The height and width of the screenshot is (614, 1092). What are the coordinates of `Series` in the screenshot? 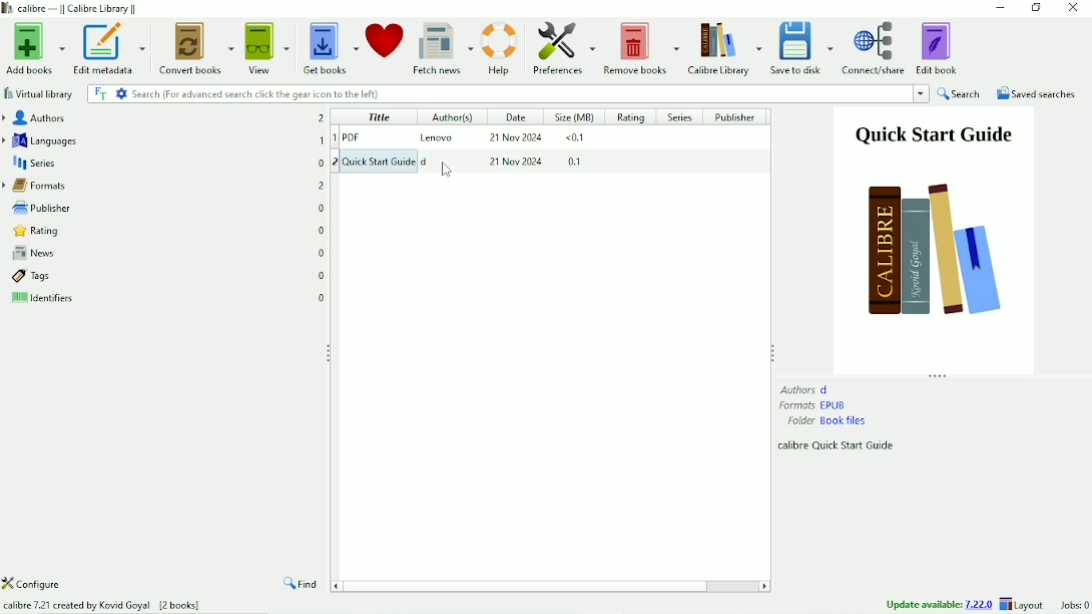 It's located at (164, 162).